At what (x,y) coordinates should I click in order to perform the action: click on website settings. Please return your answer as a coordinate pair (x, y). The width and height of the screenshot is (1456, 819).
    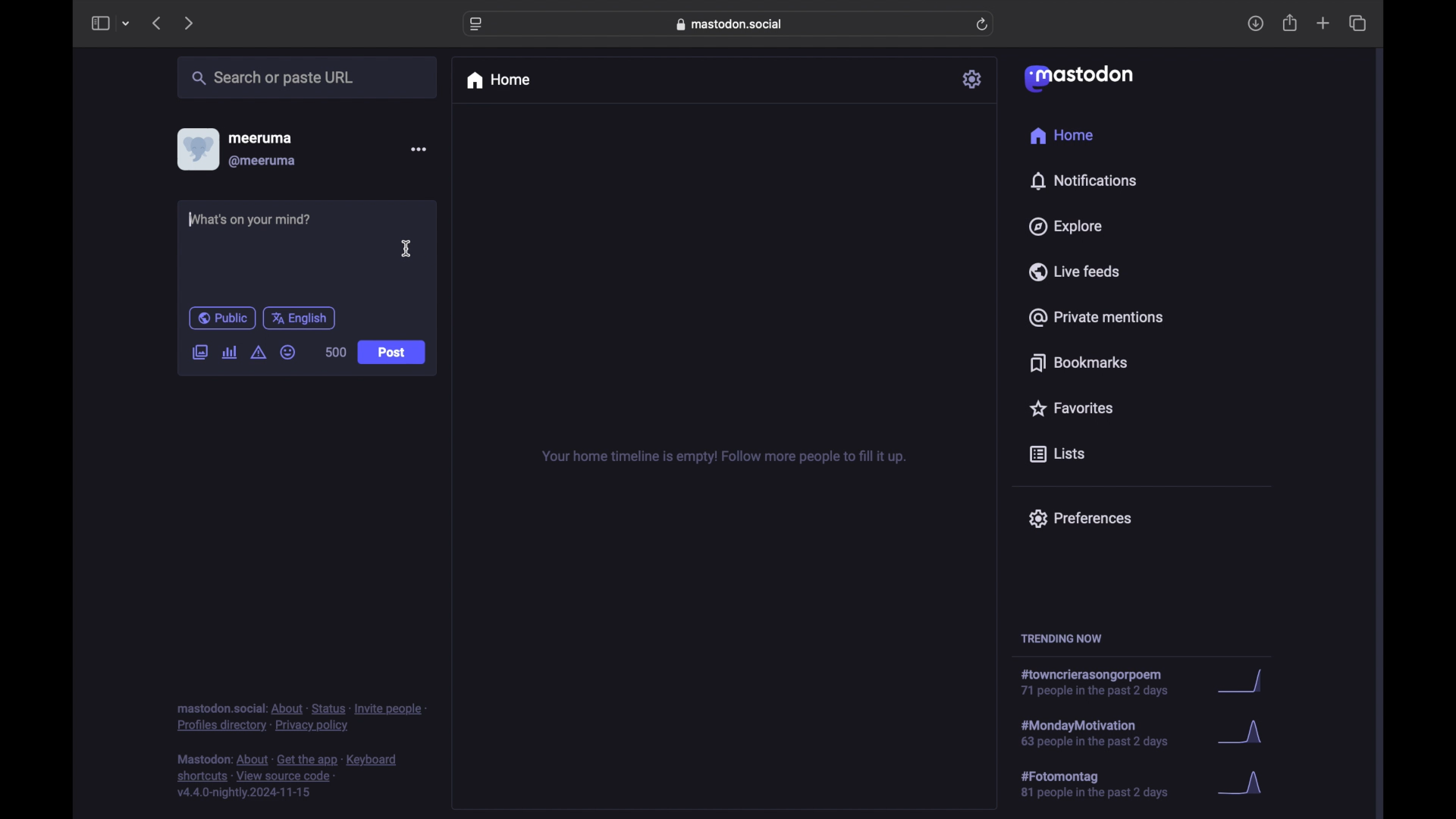
    Looking at the image, I should click on (476, 25).